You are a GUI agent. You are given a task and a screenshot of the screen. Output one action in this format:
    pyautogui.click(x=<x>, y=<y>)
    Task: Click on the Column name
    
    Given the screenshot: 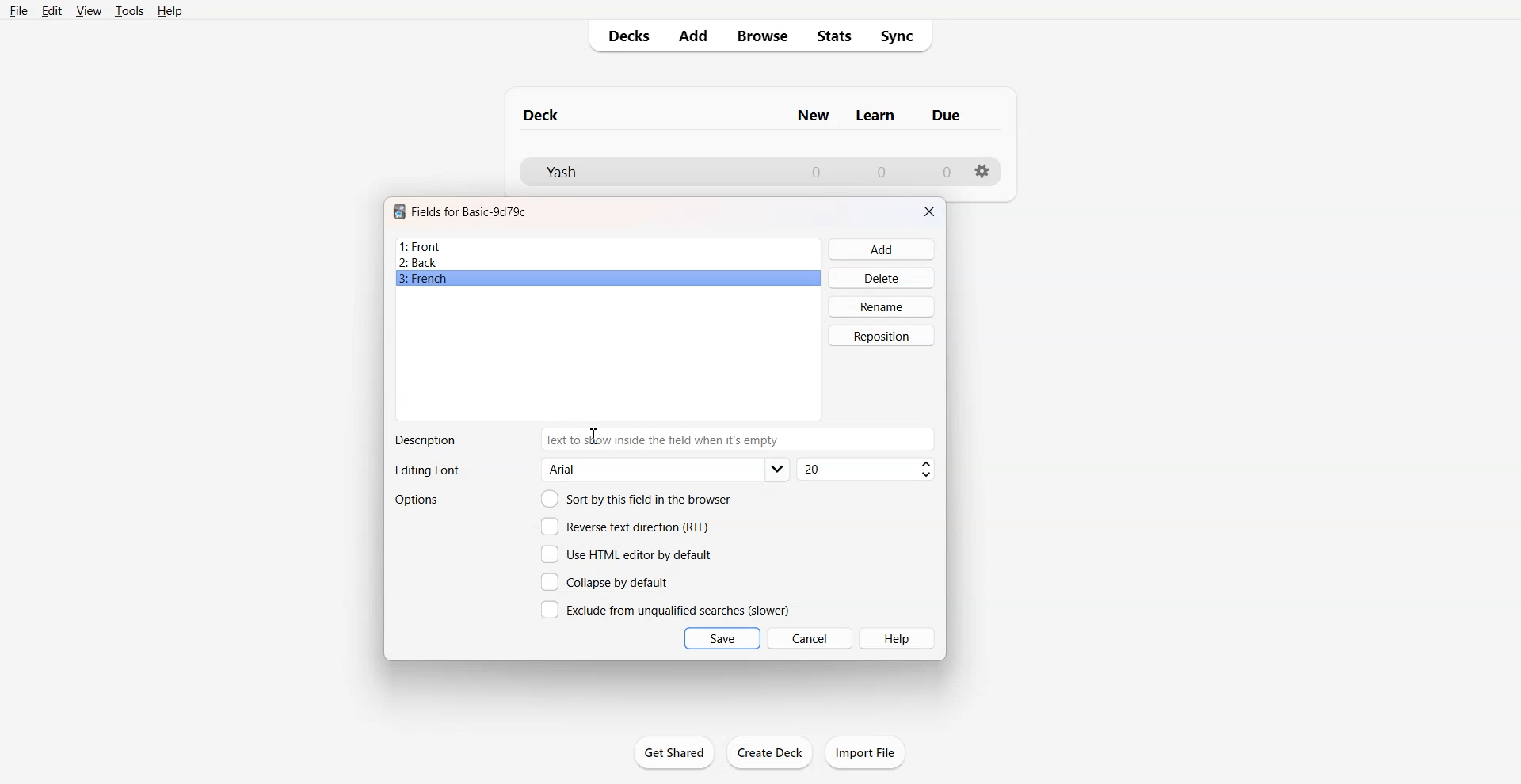 What is the action you would take?
    pyautogui.click(x=813, y=116)
    